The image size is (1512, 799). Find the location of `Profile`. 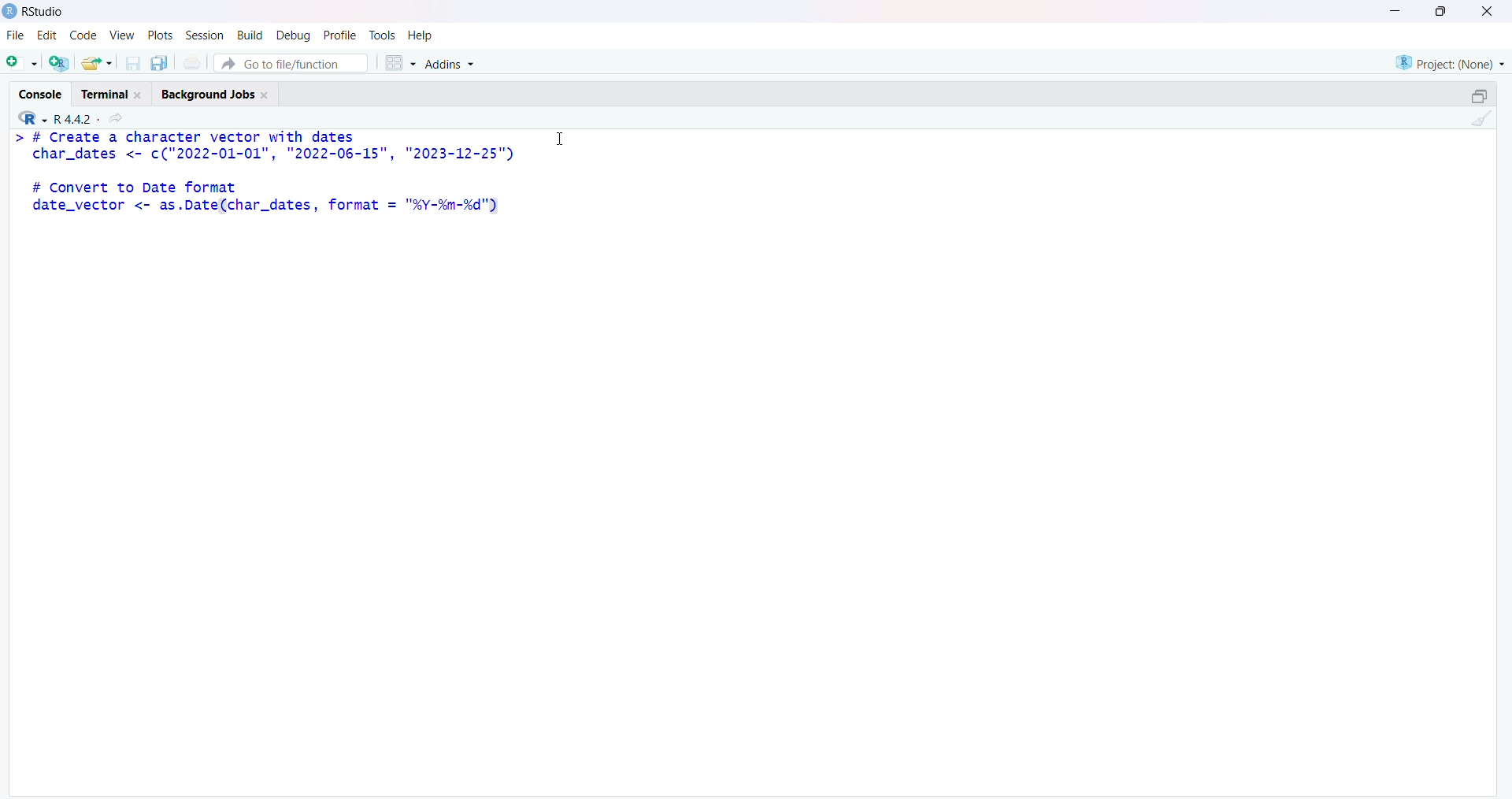

Profile is located at coordinates (339, 33).